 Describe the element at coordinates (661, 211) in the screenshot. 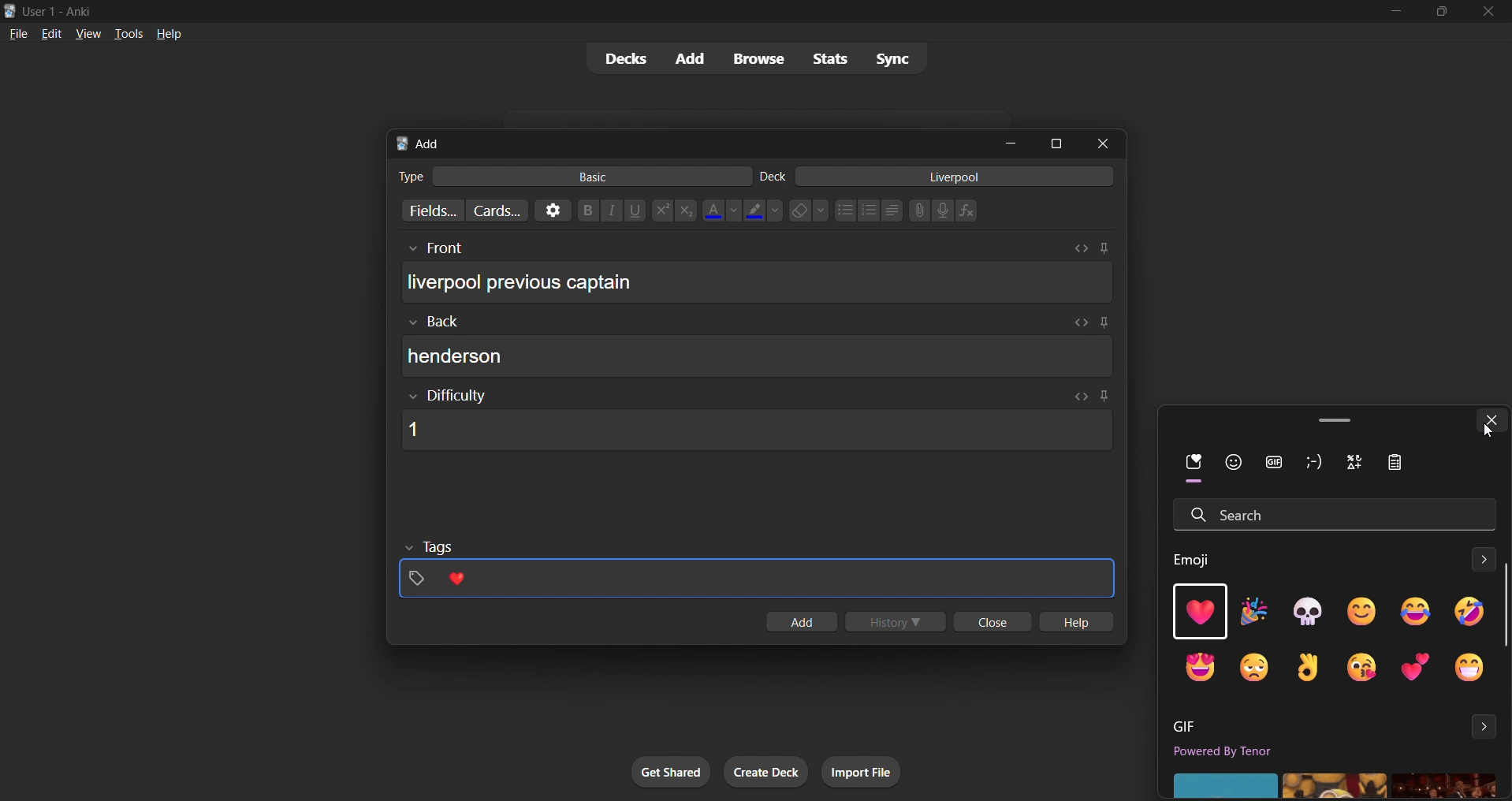

I see `superscript` at that location.